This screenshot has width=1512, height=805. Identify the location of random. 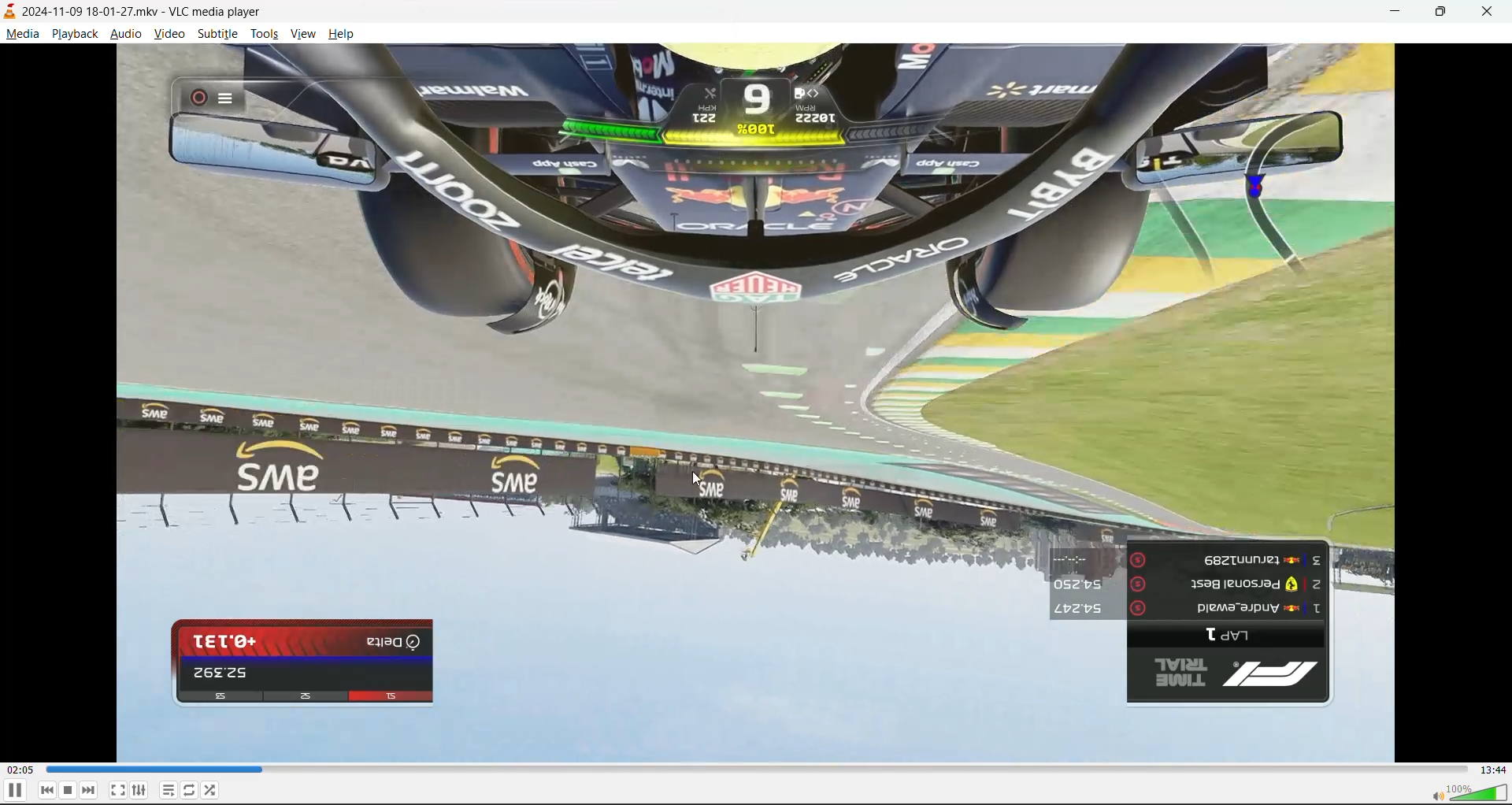
(211, 789).